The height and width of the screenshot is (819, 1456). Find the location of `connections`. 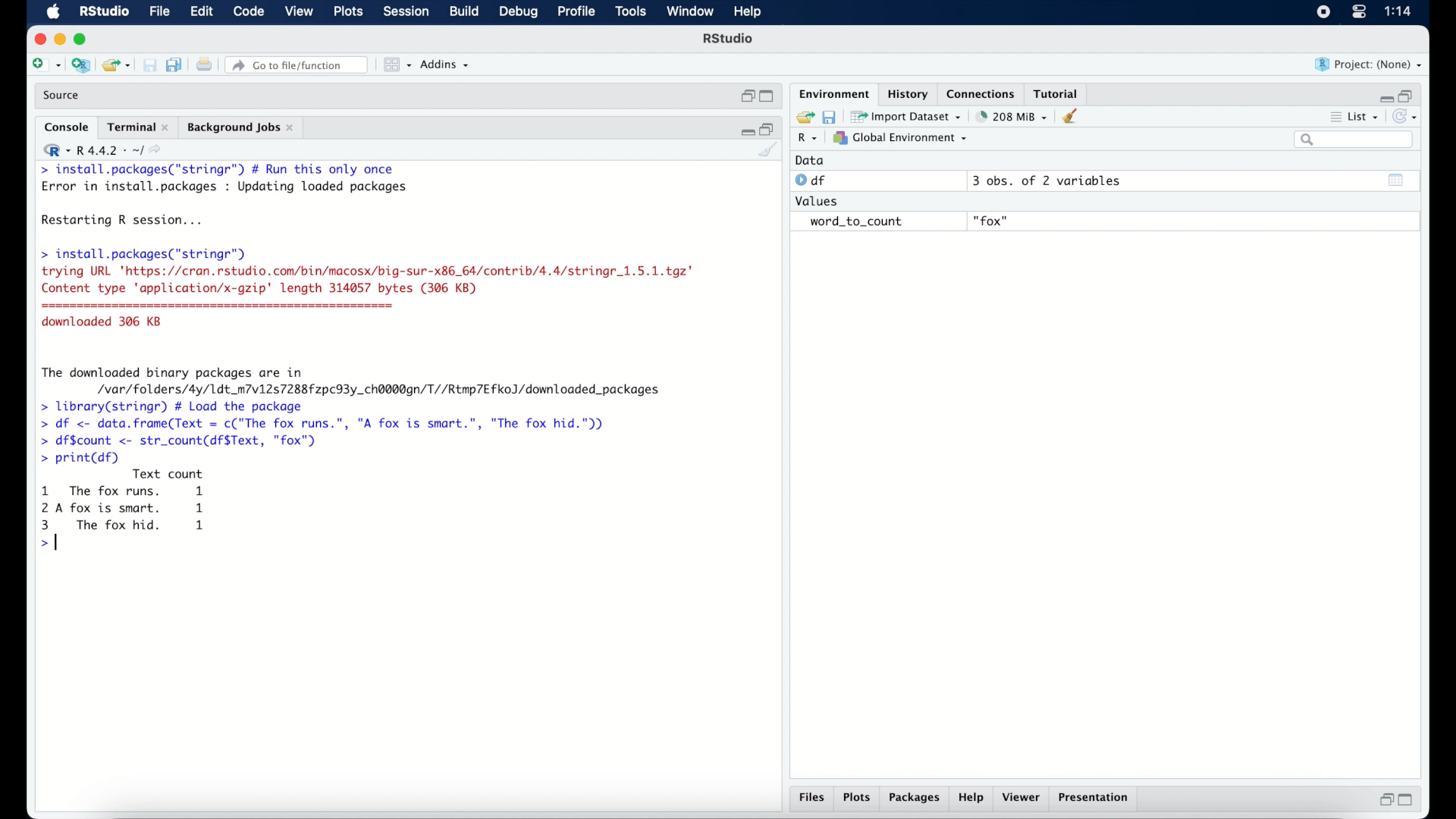

connections is located at coordinates (983, 93).